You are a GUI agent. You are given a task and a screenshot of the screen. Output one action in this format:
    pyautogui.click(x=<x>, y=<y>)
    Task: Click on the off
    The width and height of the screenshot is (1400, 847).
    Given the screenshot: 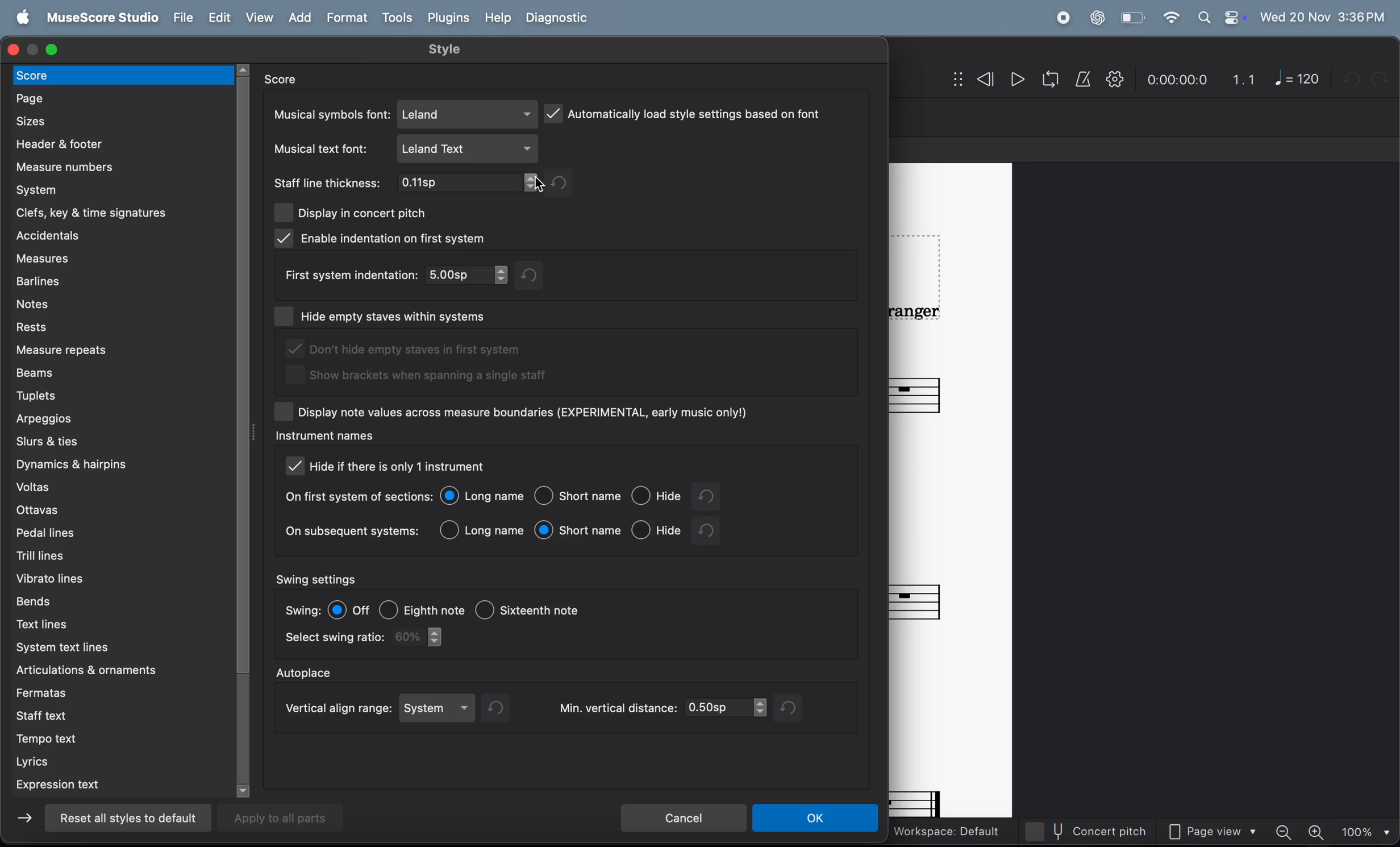 What is the action you would take?
    pyautogui.click(x=351, y=609)
    